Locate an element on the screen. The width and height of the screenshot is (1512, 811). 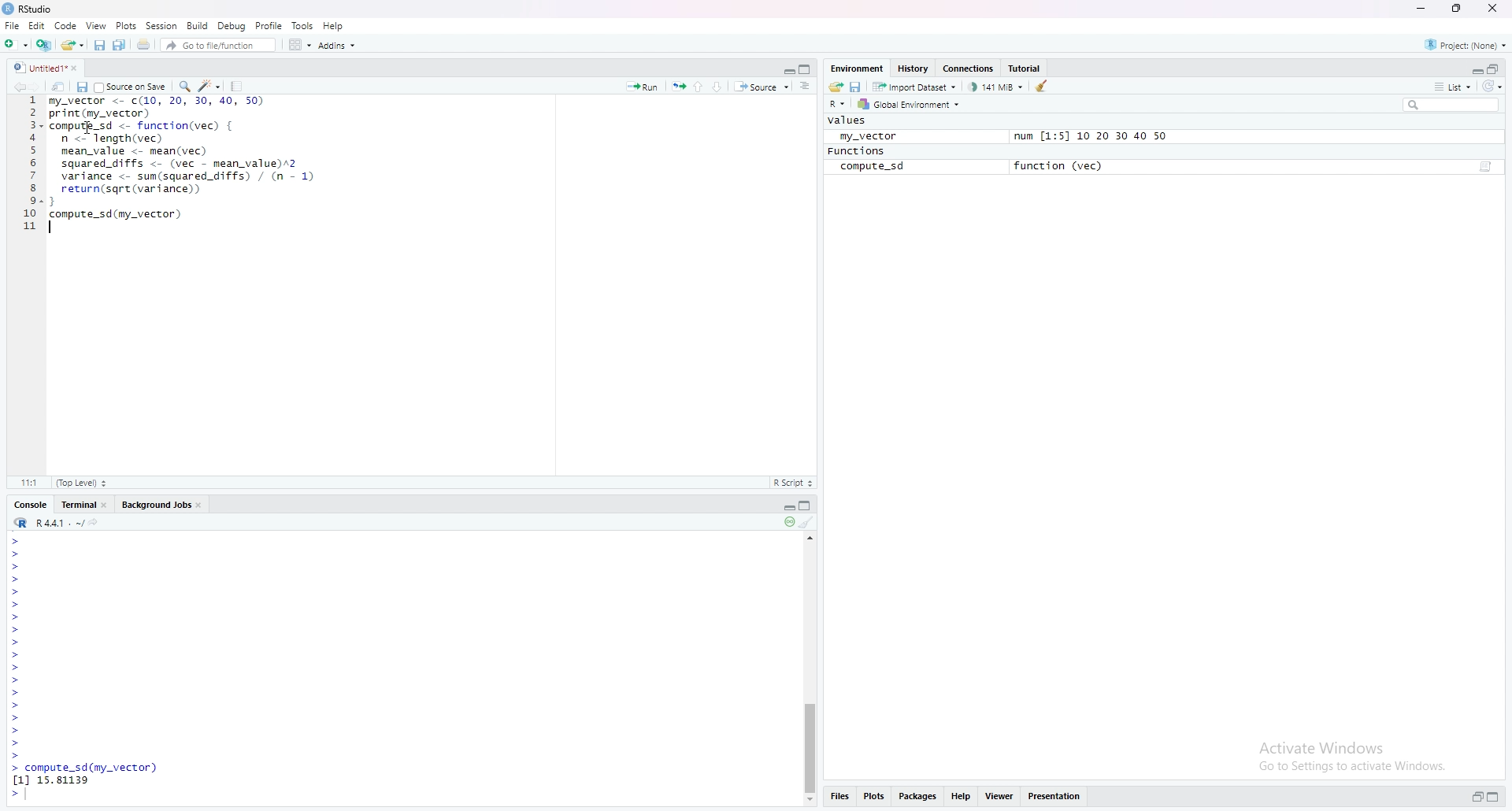
Files is located at coordinates (839, 795).